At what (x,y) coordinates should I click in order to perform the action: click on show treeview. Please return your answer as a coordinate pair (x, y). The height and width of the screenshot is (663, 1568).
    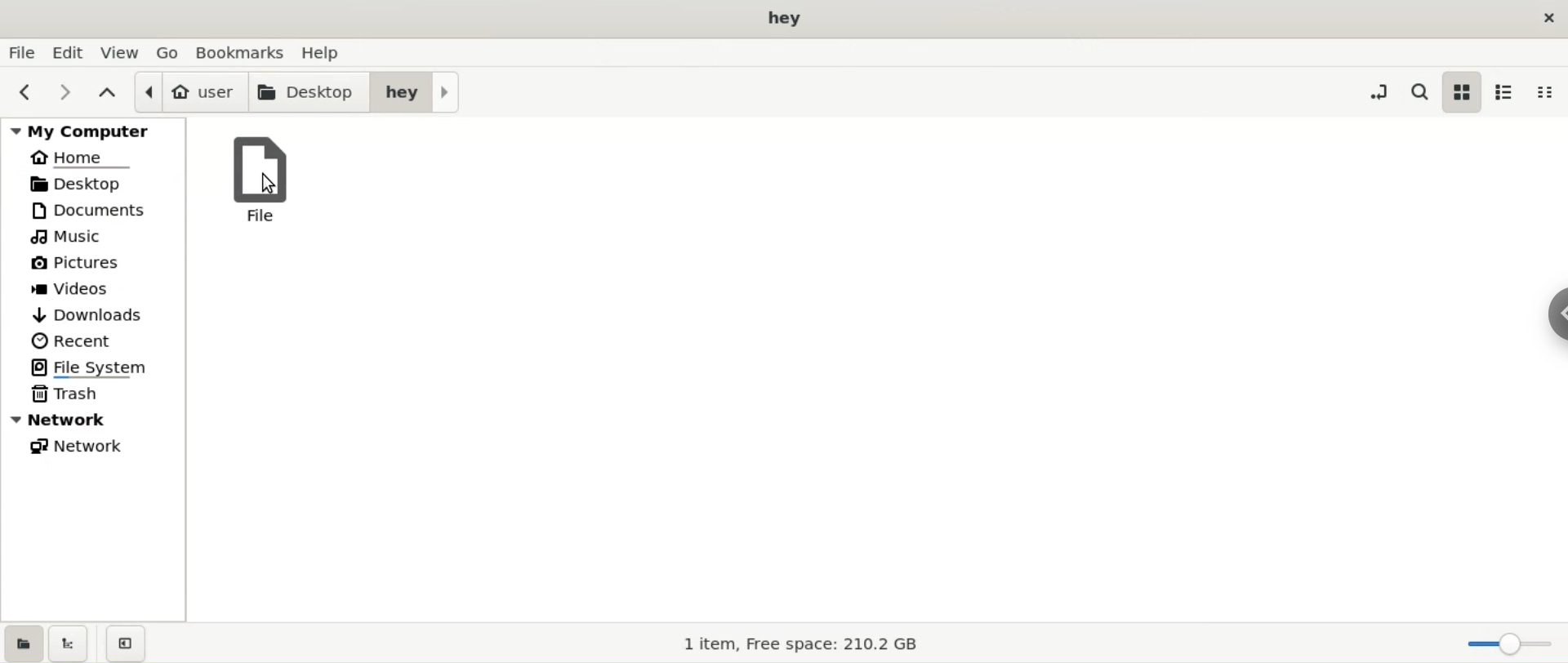
    Looking at the image, I should click on (72, 643).